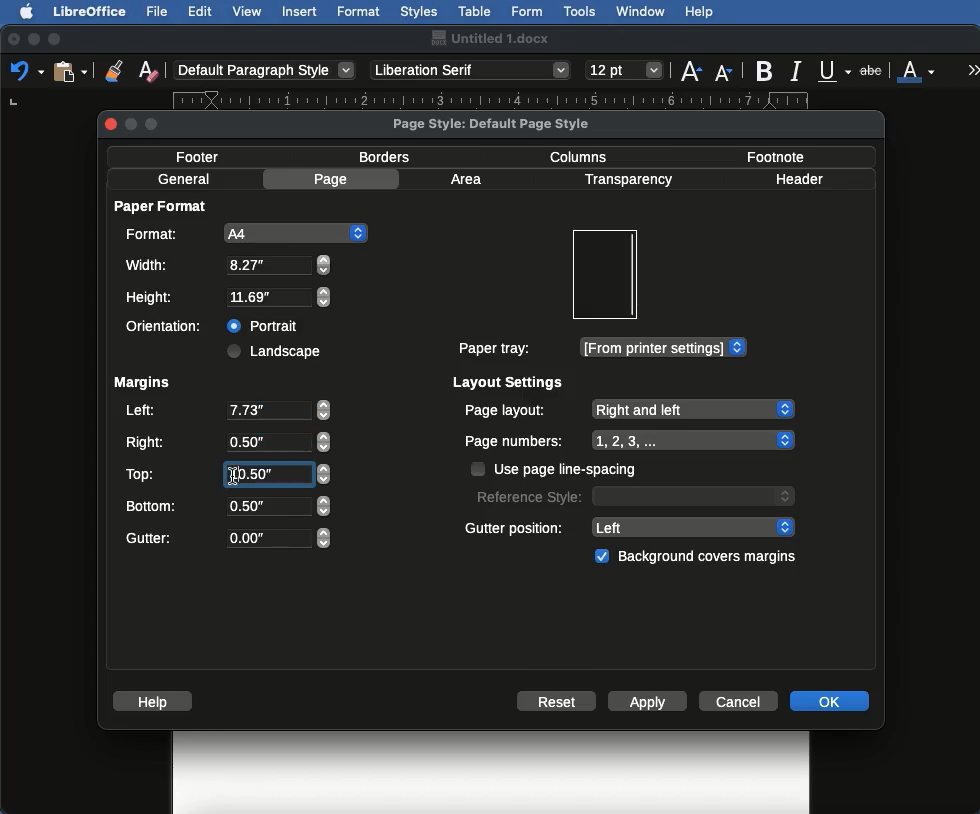  I want to click on Portrait, so click(265, 323).